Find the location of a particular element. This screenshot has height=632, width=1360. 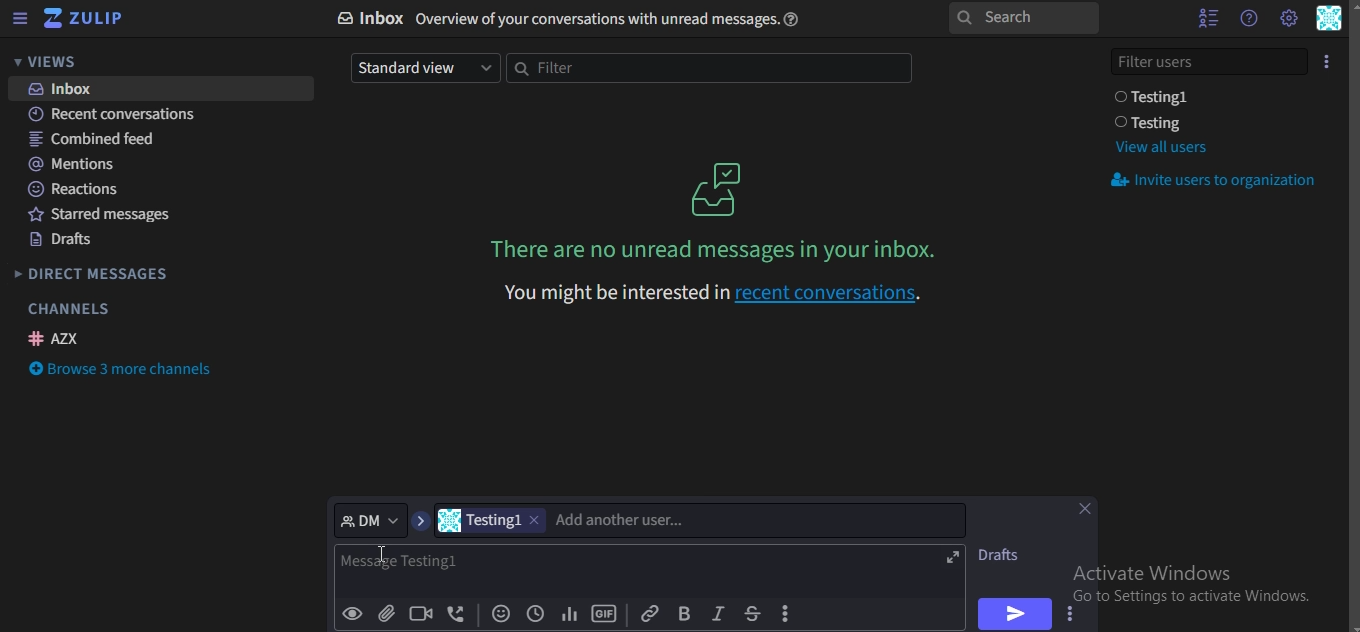

italic is located at coordinates (717, 614).